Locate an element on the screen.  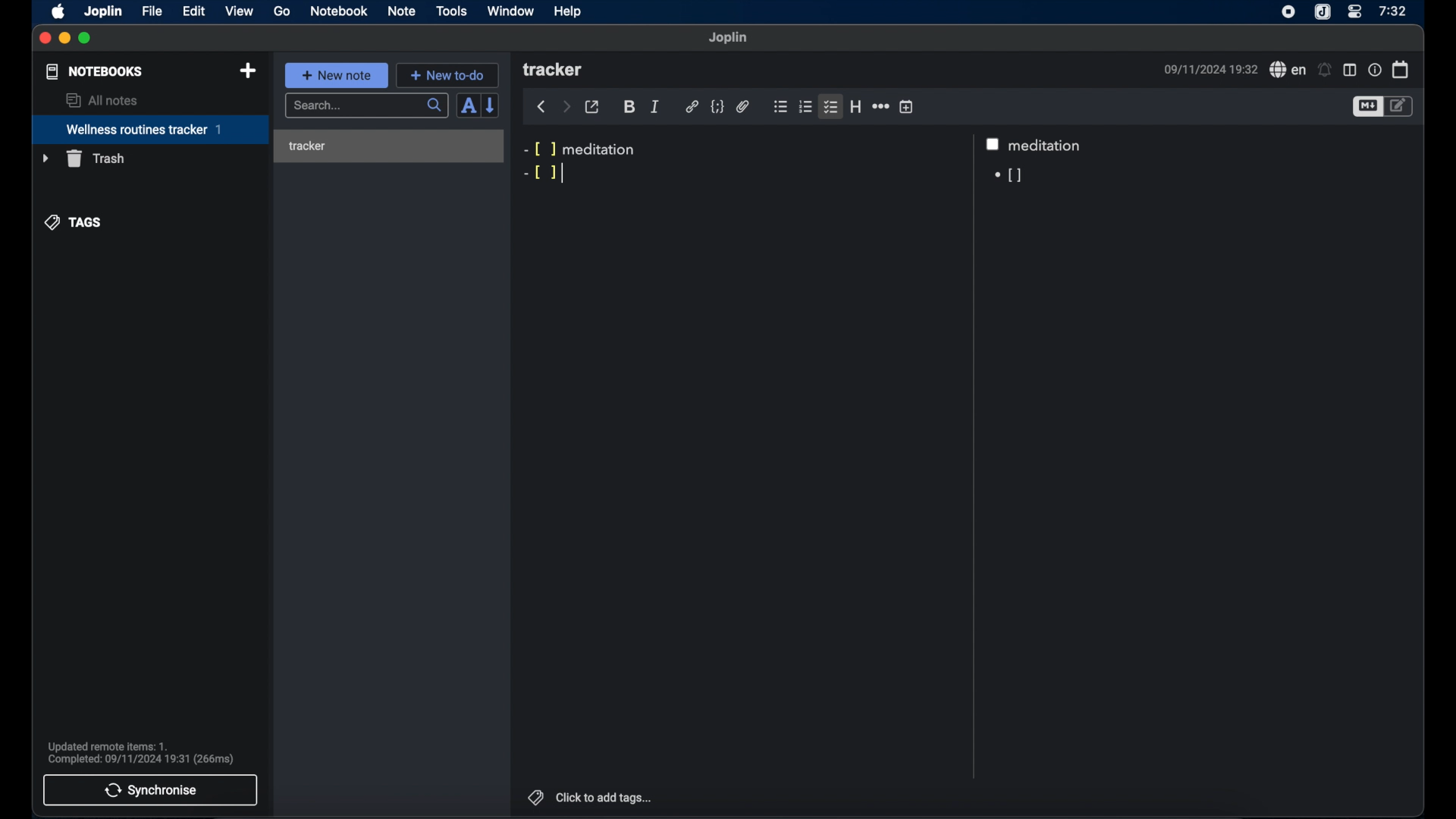
search... is located at coordinates (368, 106).